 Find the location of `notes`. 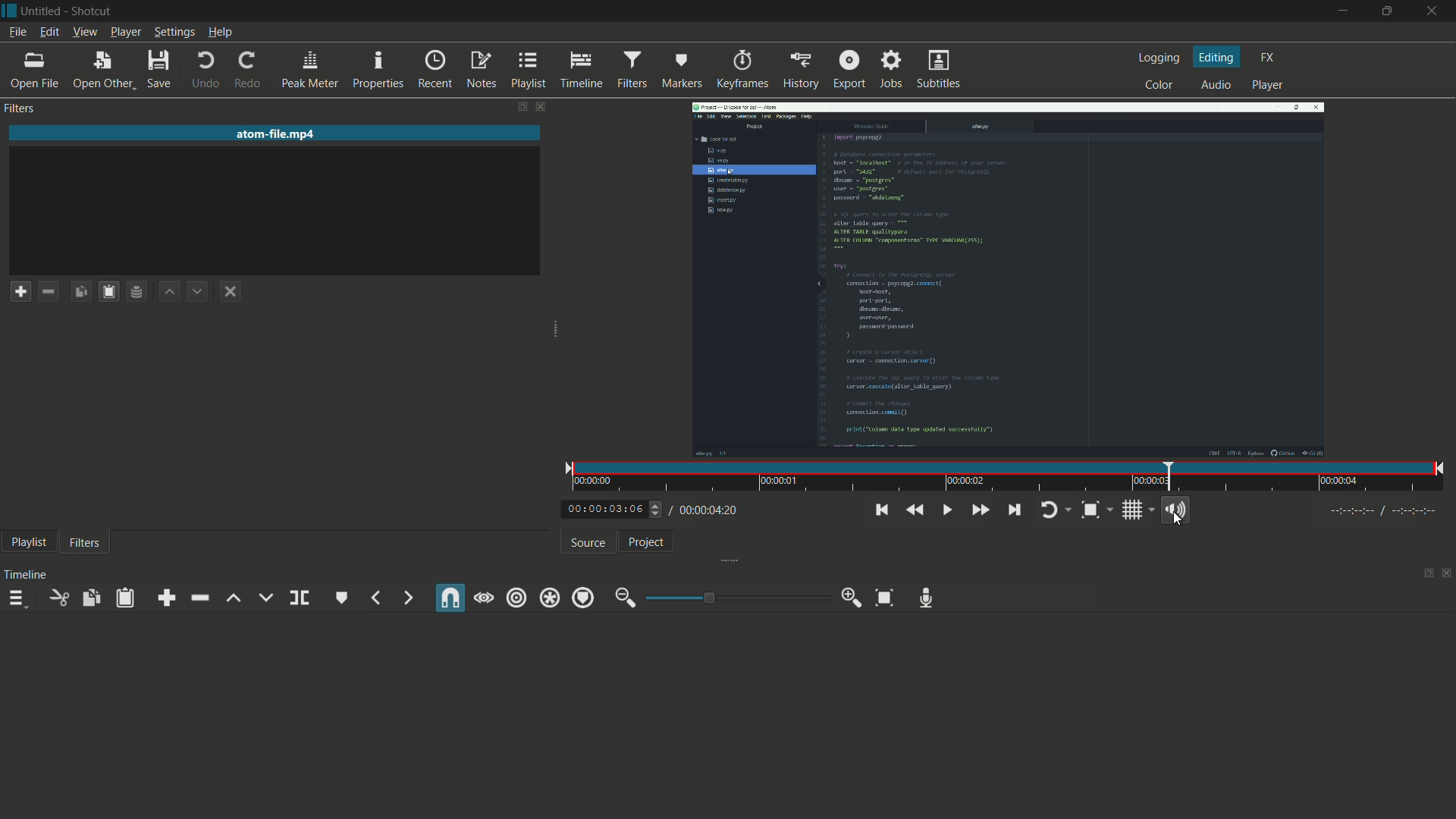

notes is located at coordinates (480, 71).